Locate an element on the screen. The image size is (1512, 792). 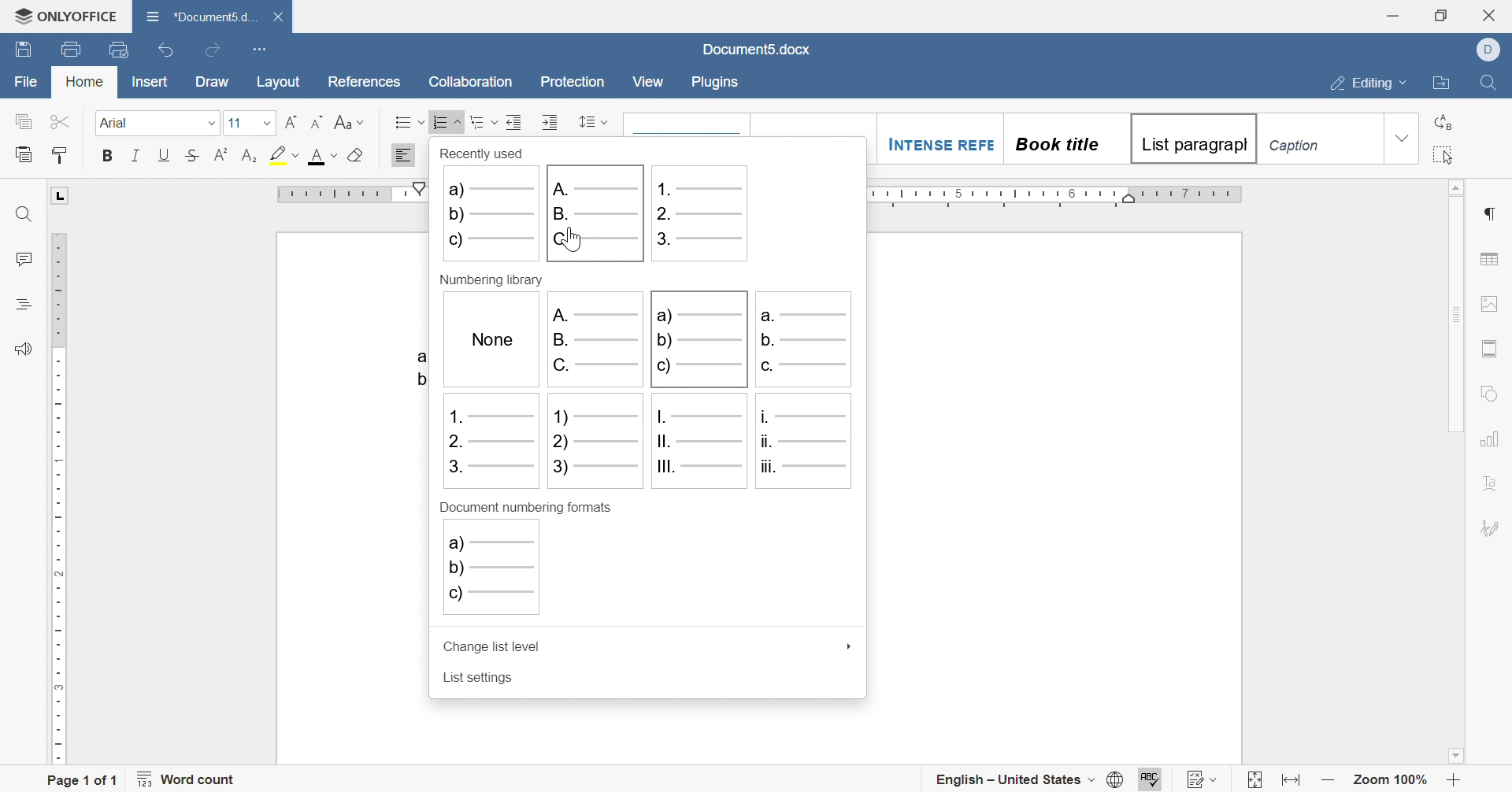
file is located at coordinates (27, 80).